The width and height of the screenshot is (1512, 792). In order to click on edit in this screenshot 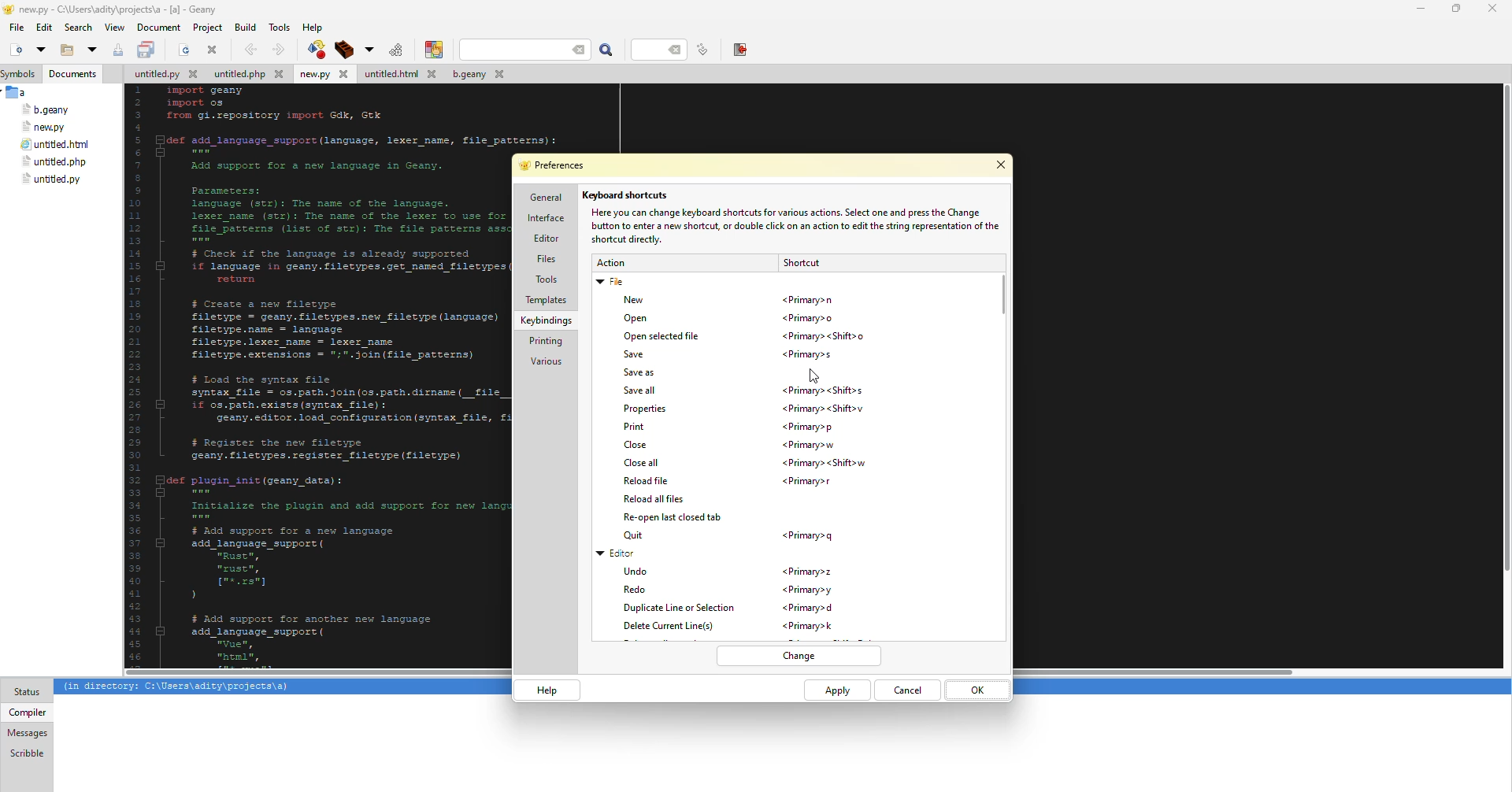, I will do `click(44, 28)`.